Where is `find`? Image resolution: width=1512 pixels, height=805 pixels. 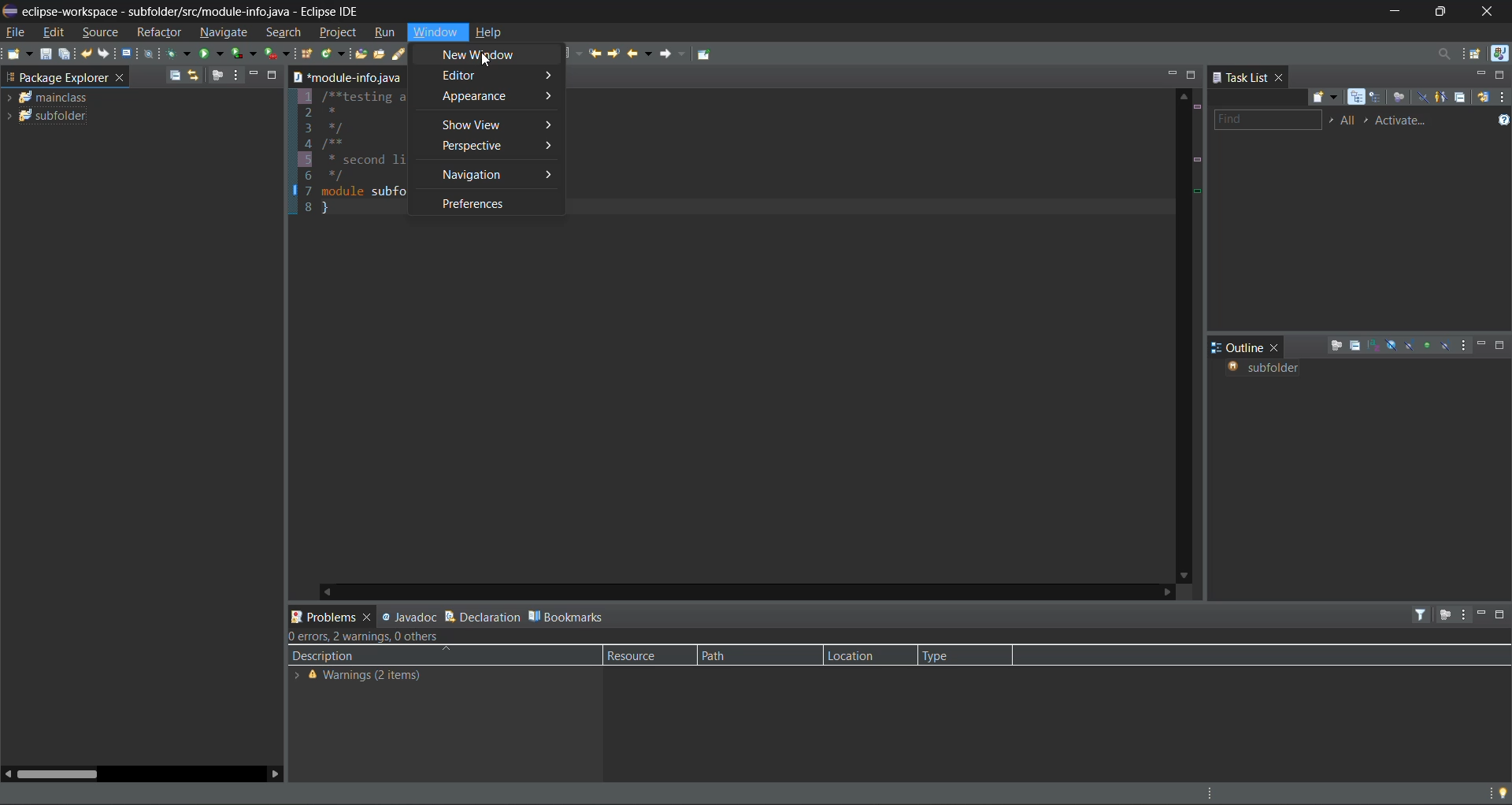 find is located at coordinates (1266, 119).